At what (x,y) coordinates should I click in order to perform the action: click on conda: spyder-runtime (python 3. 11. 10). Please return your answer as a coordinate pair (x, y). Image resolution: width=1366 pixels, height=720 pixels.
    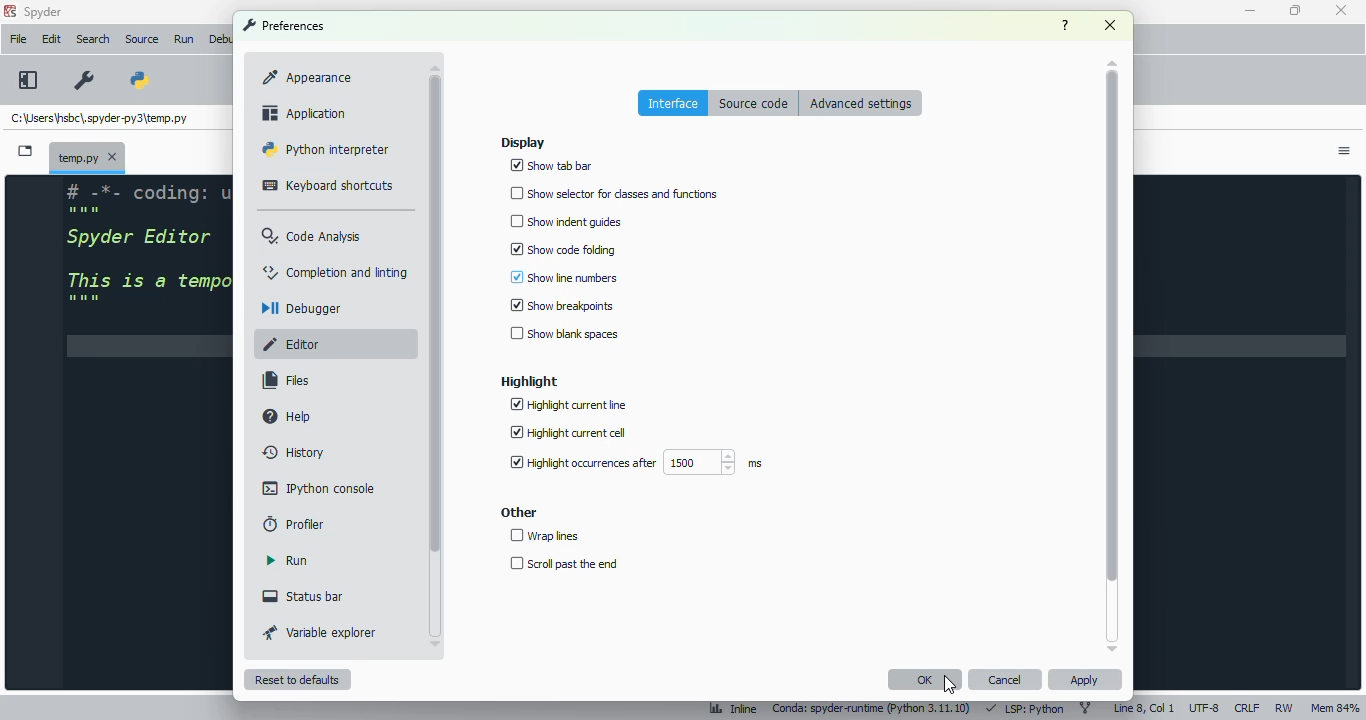
    Looking at the image, I should click on (873, 707).